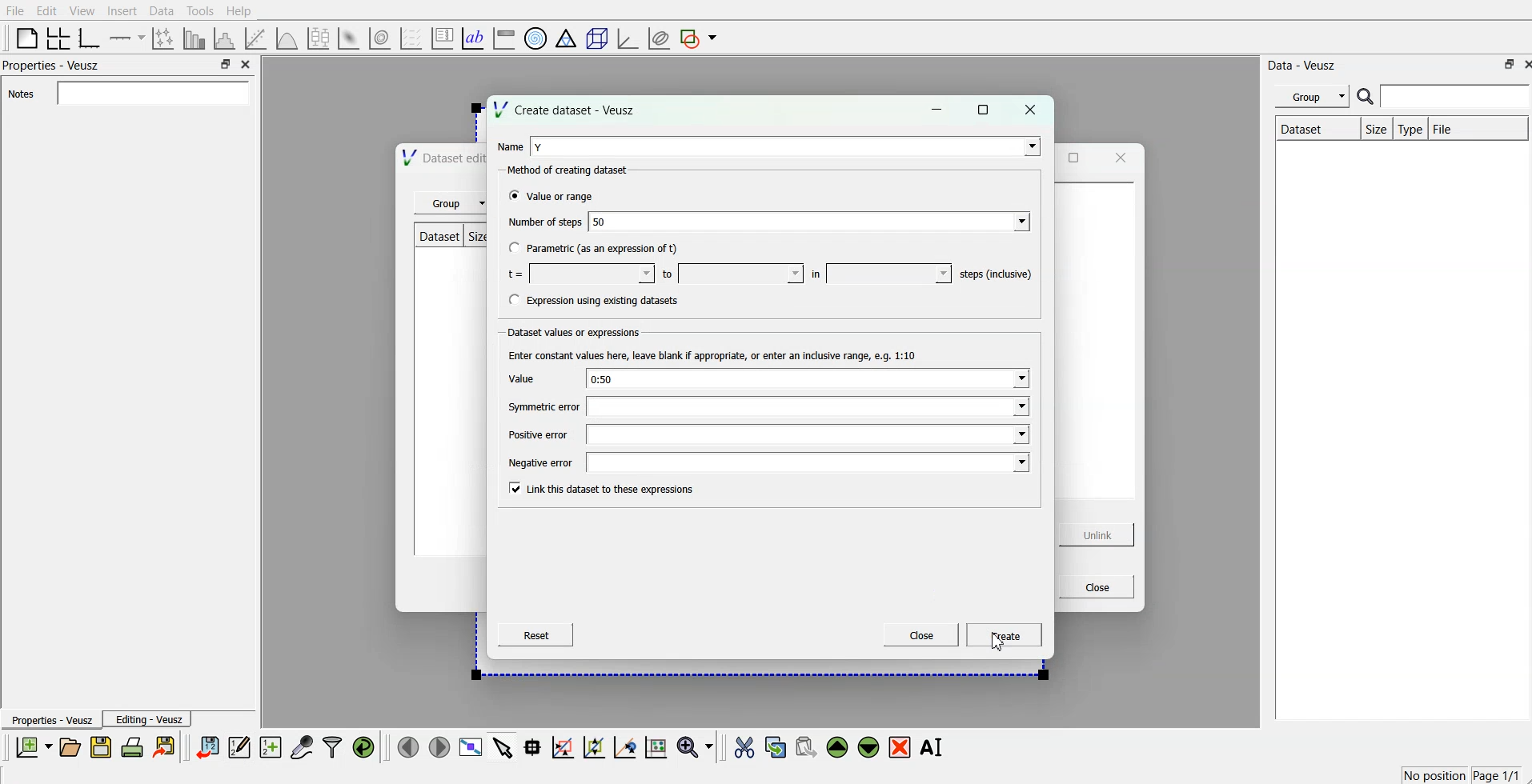 The image size is (1532, 784). What do you see at coordinates (742, 275) in the screenshot?
I see `max t value field` at bounding box center [742, 275].